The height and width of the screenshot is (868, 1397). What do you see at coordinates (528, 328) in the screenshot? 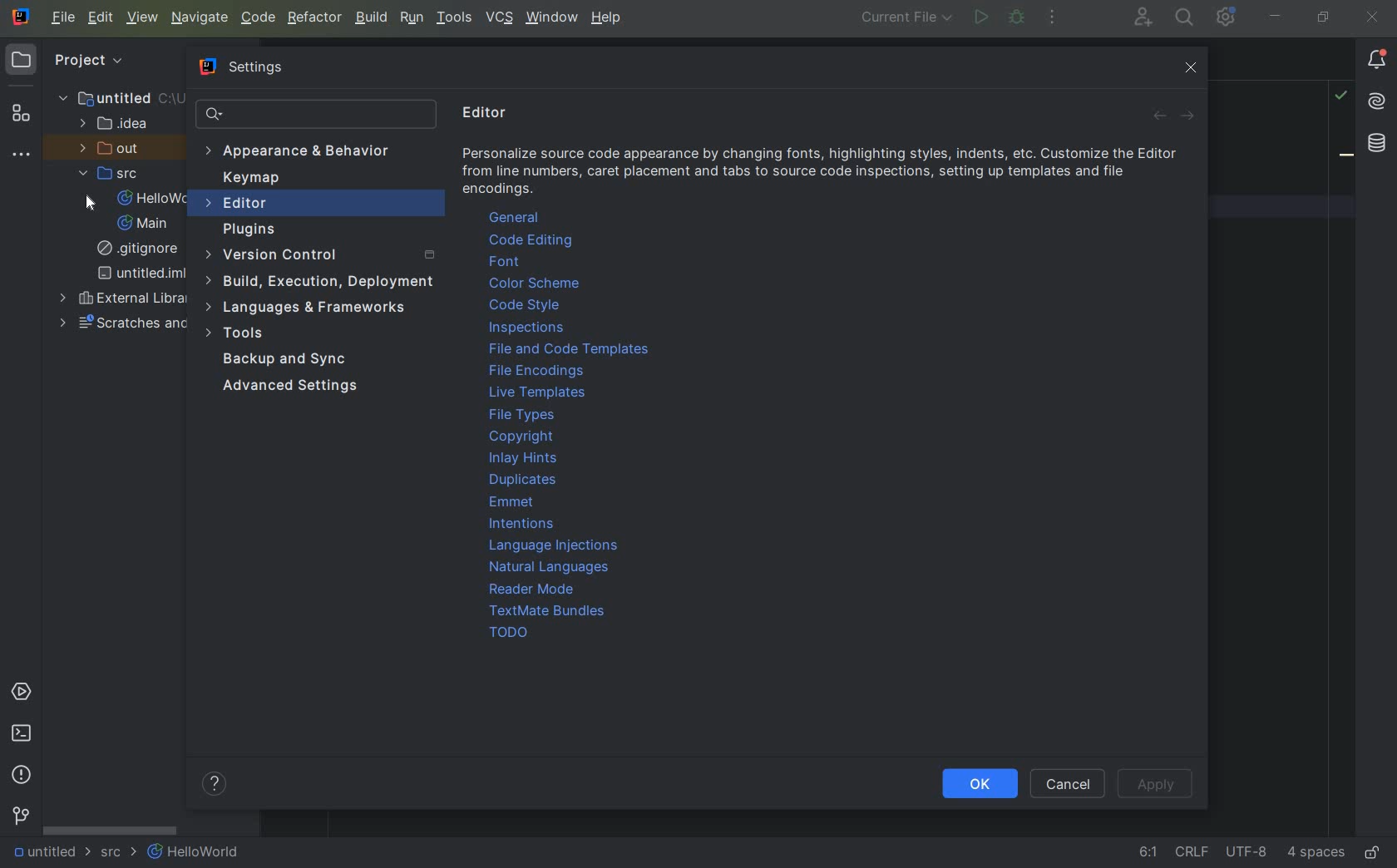
I see `inspections` at bounding box center [528, 328].